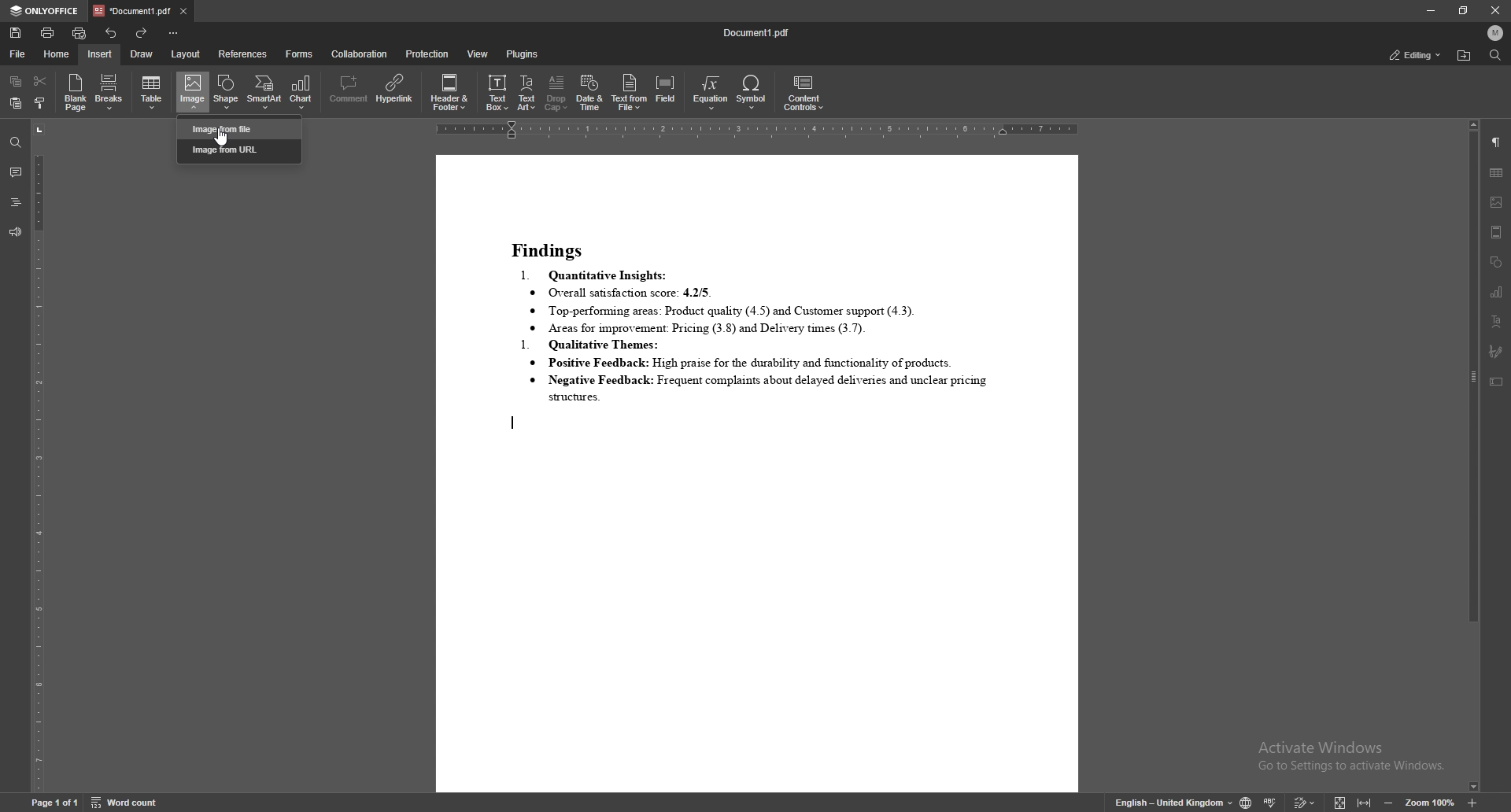 This screenshot has width=1511, height=812. What do you see at coordinates (18, 54) in the screenshot?
I see `file` at bounding box center [18, 54].